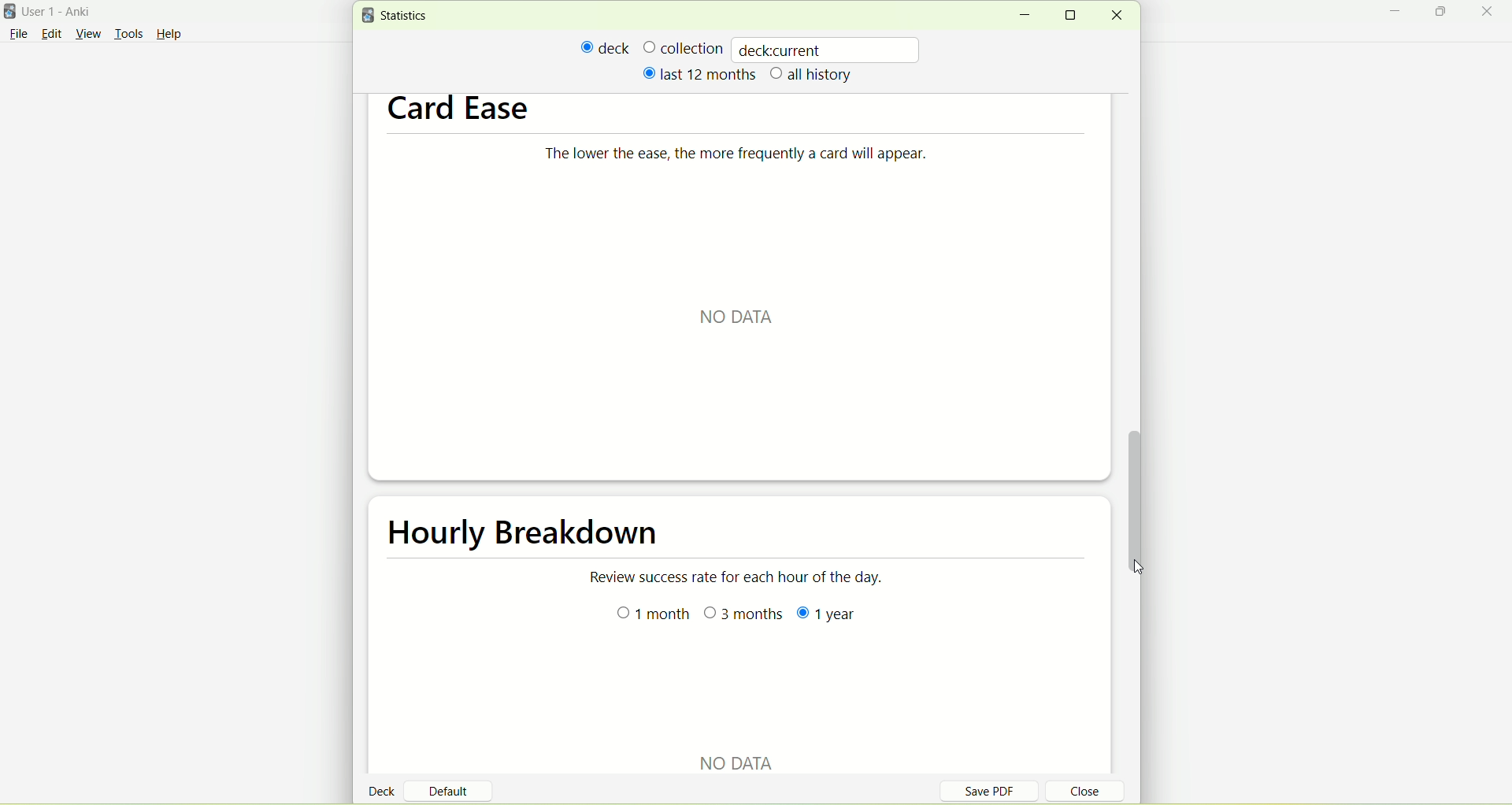 The height and width of the screenshot is (805, 1512). I want to click on edit, so click(51, 33).